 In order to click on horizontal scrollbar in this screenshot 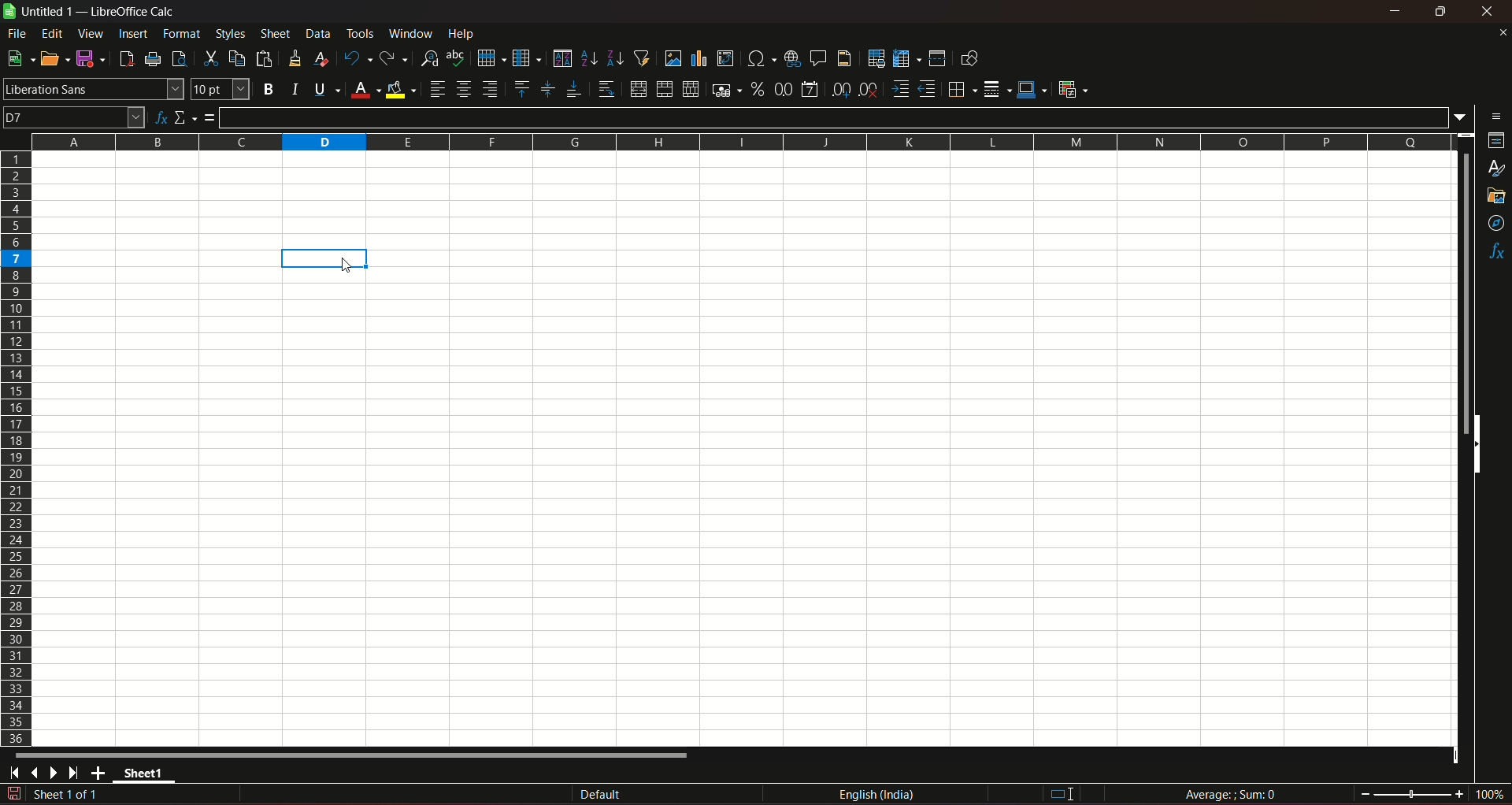, I will do `click(353, 755)`.